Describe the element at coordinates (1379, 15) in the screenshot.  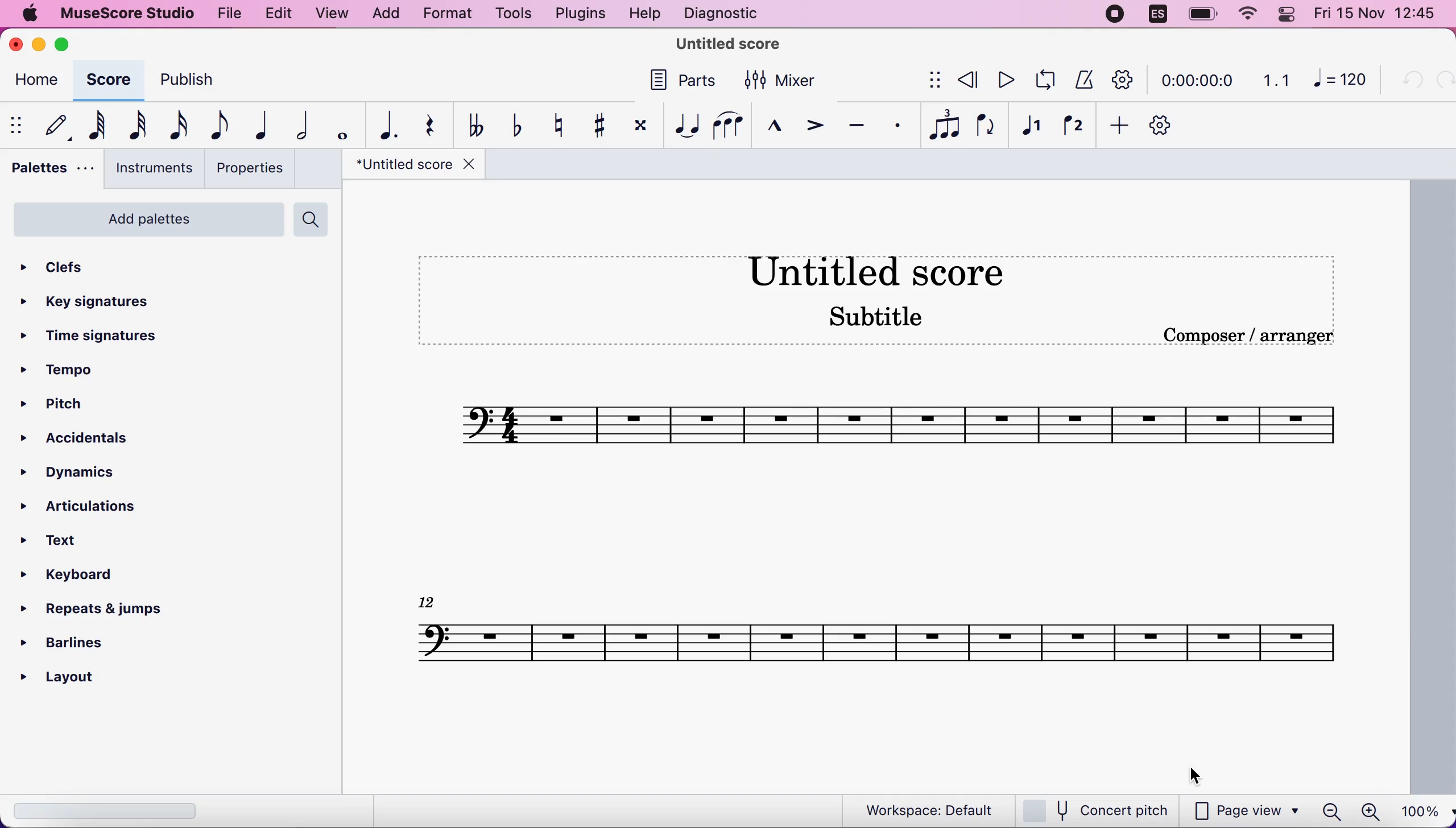
I see `Fri 15 Nov 12:44` at that location.